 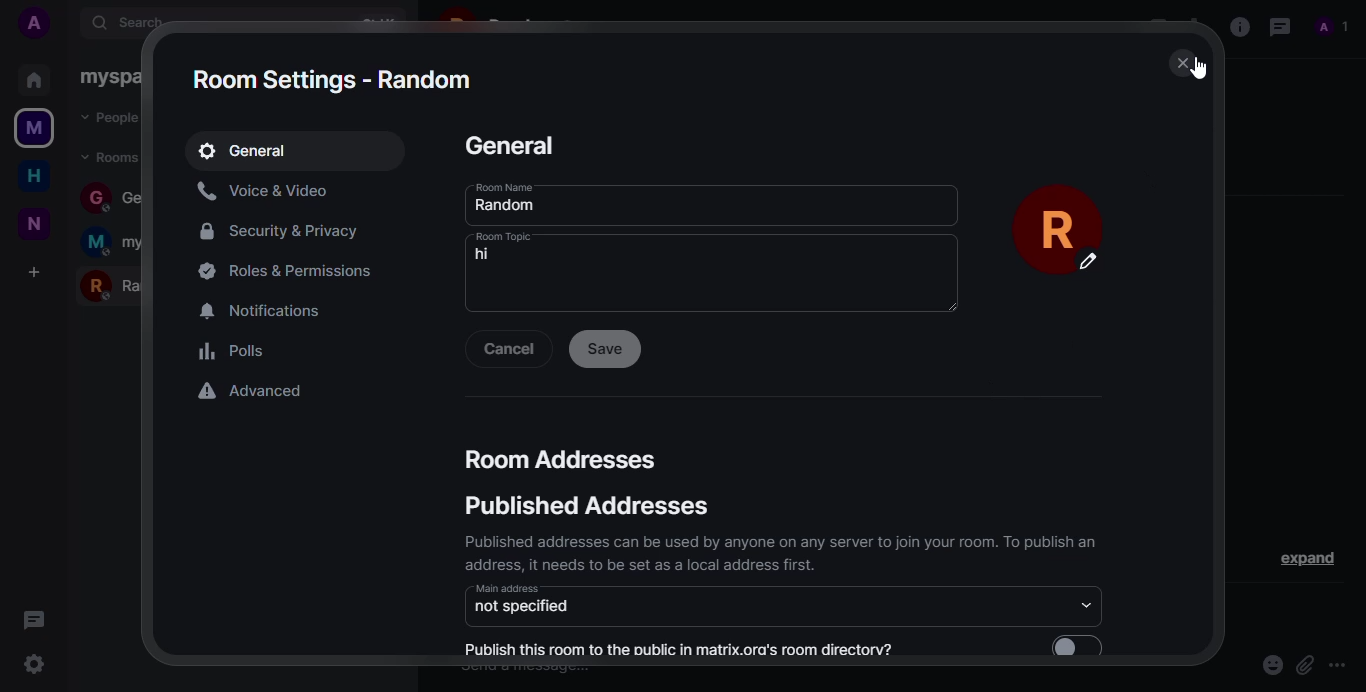 What do you see at coordinates (294, 270) in the screenshot?
I see `permissions` at bounding box center [294, 270].